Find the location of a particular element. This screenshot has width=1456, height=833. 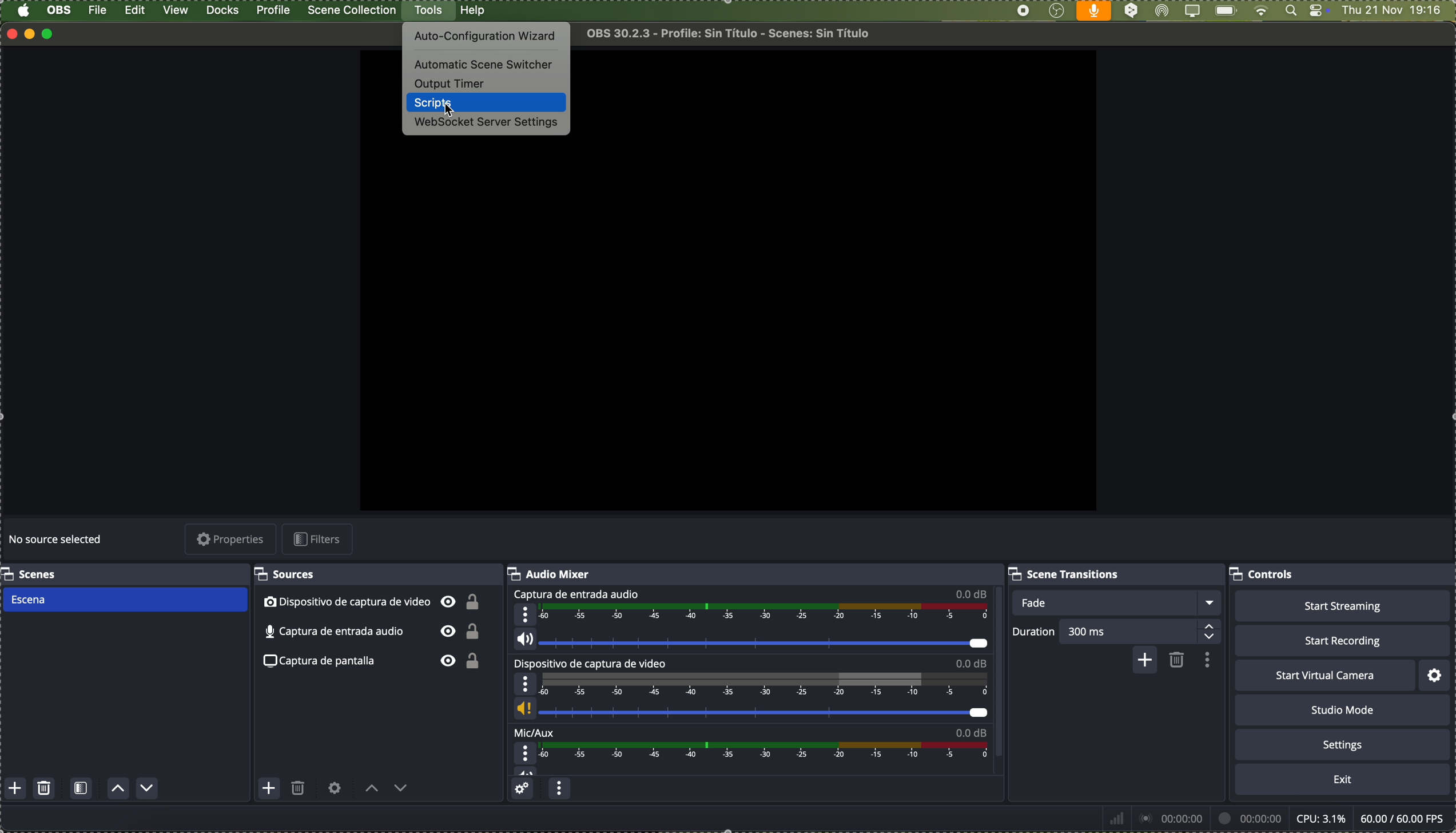

settings is located at coordinates (1436, 675).